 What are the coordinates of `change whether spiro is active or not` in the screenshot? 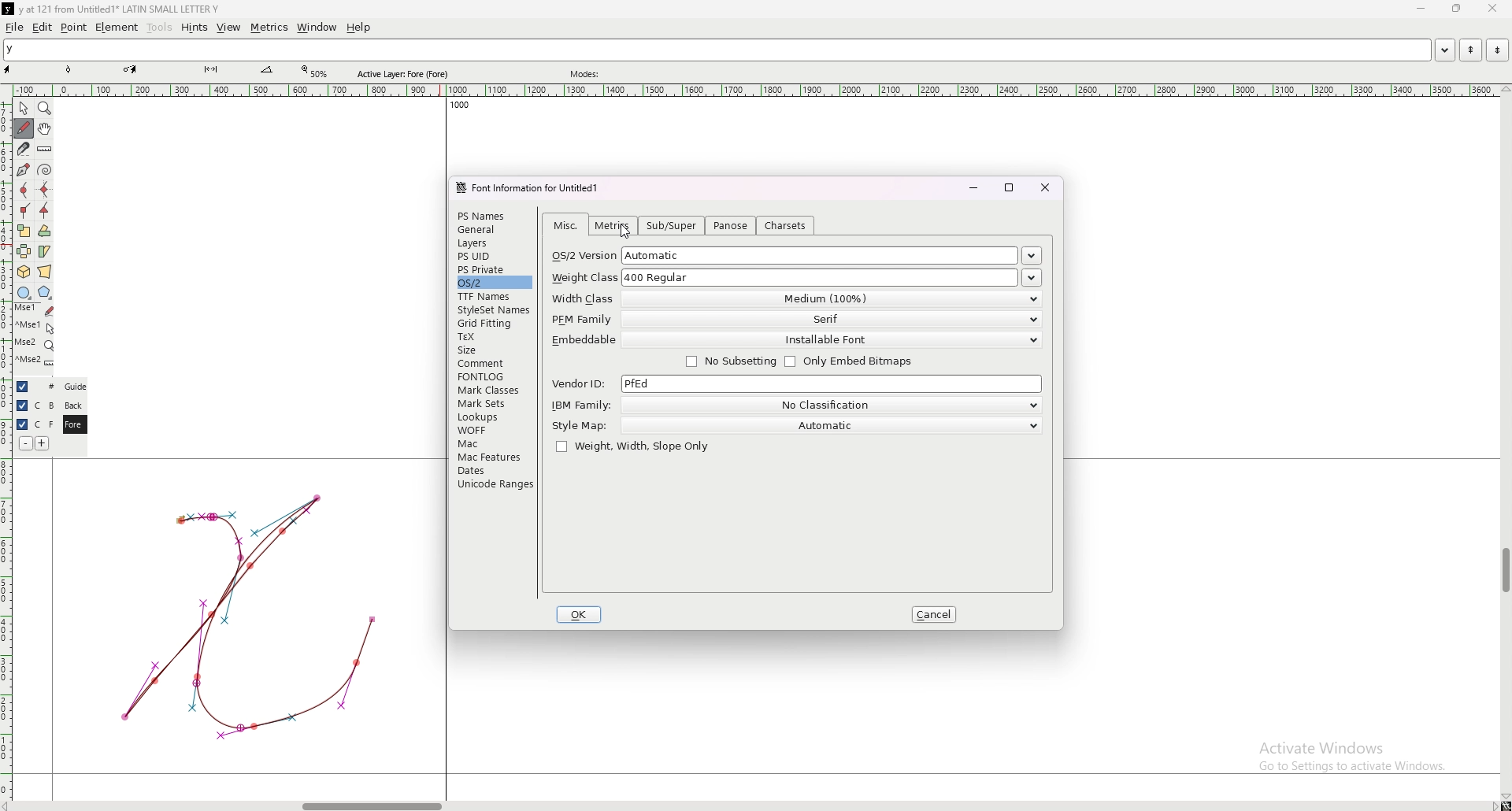 It's located at (45, 169).